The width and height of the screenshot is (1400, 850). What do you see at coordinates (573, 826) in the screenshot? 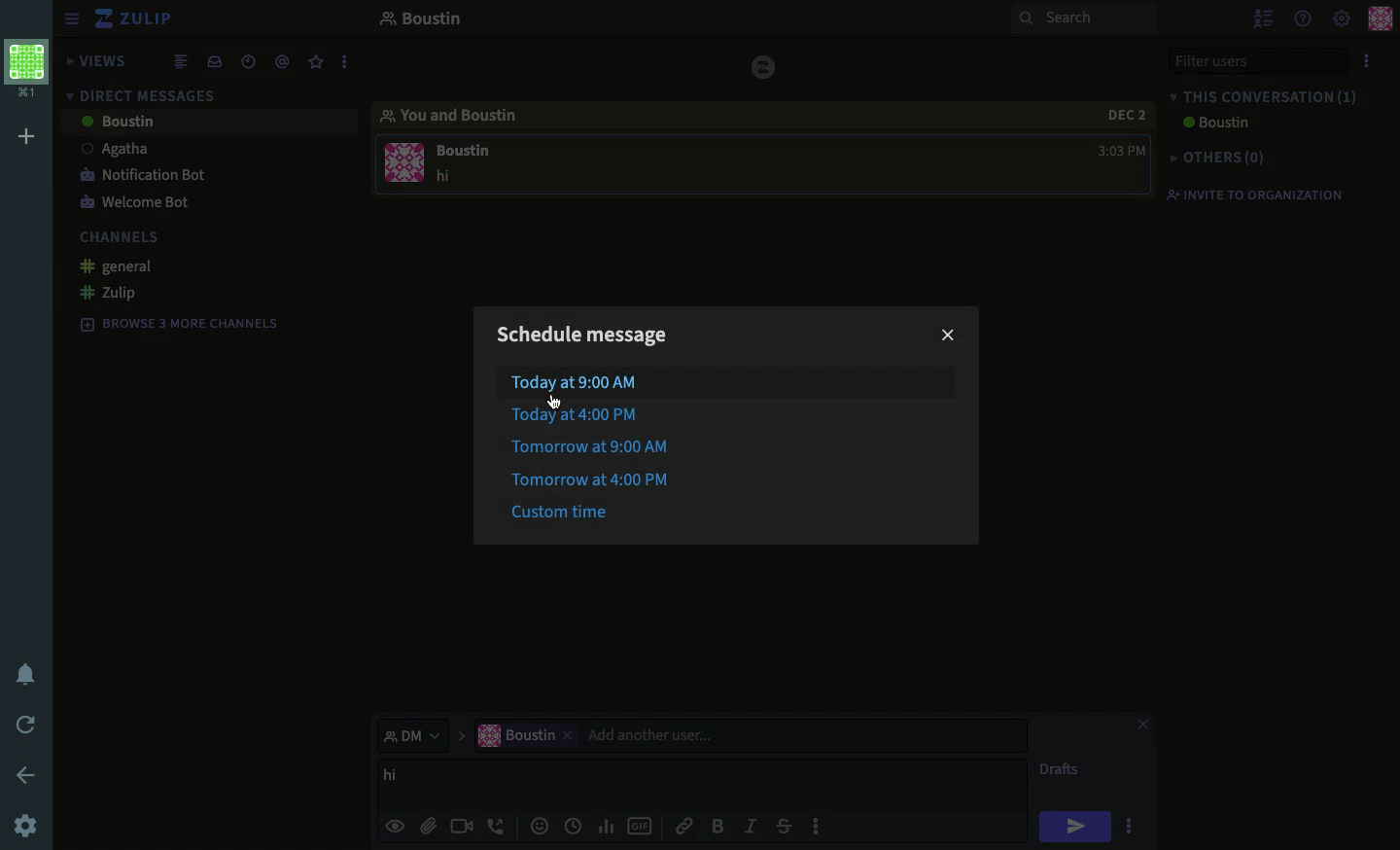
I see `date time` at bounding box center [573, 826].